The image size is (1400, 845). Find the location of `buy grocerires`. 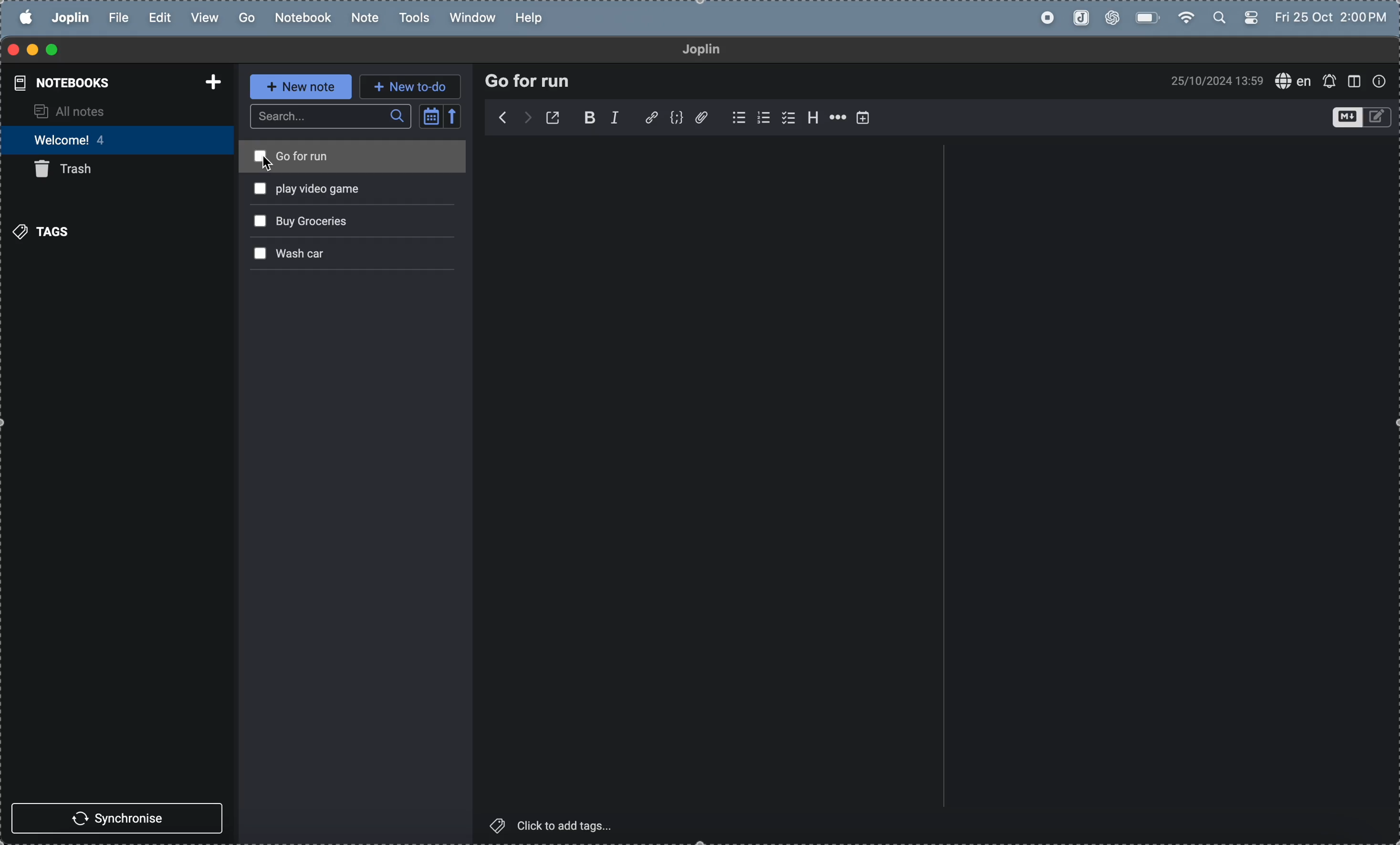

buy grocerires is located at coordinates (346, 219).